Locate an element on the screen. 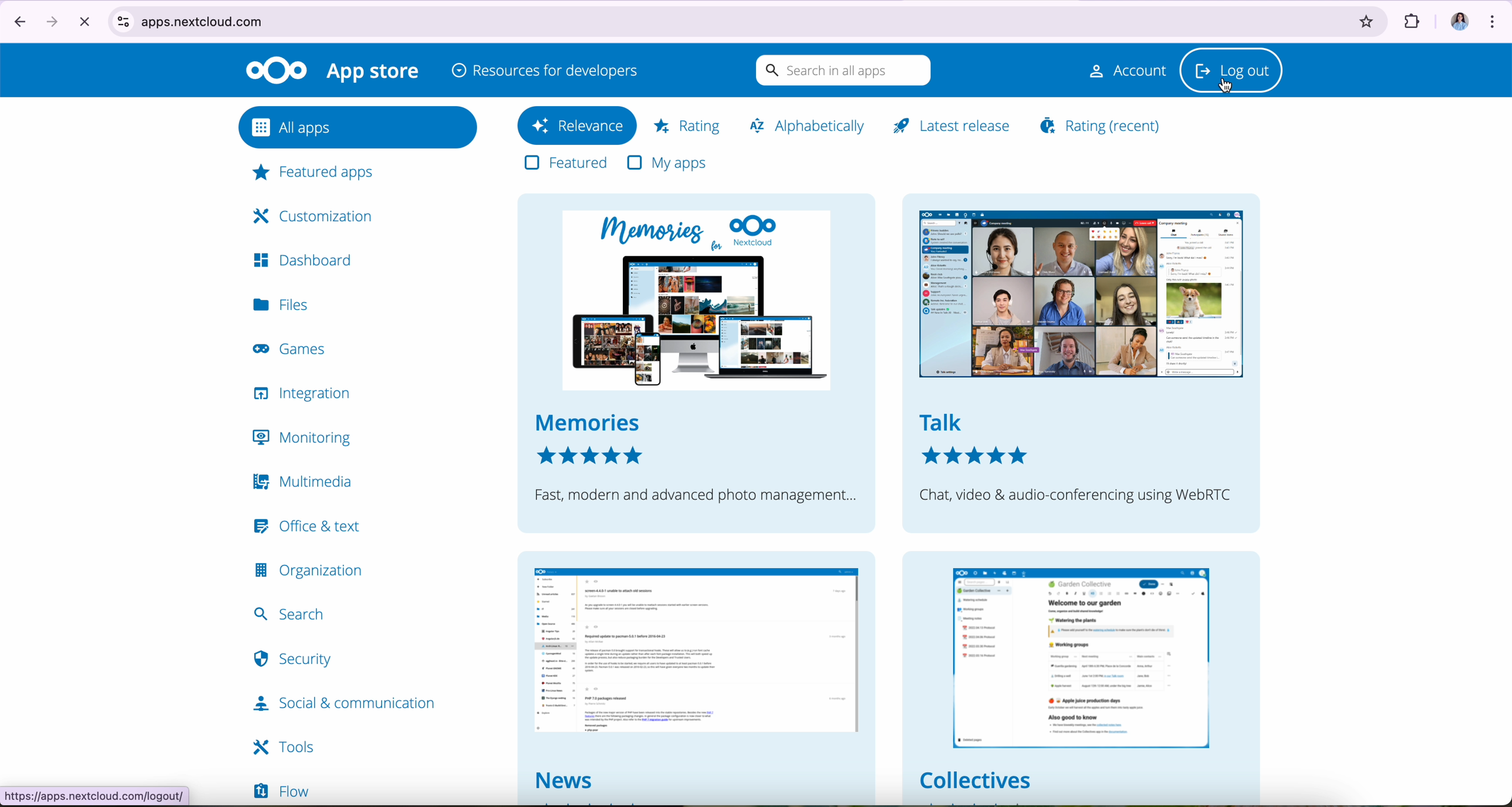  talk chat, video & audio conferencing using WebRTC is located at coordinates (1089, 372).